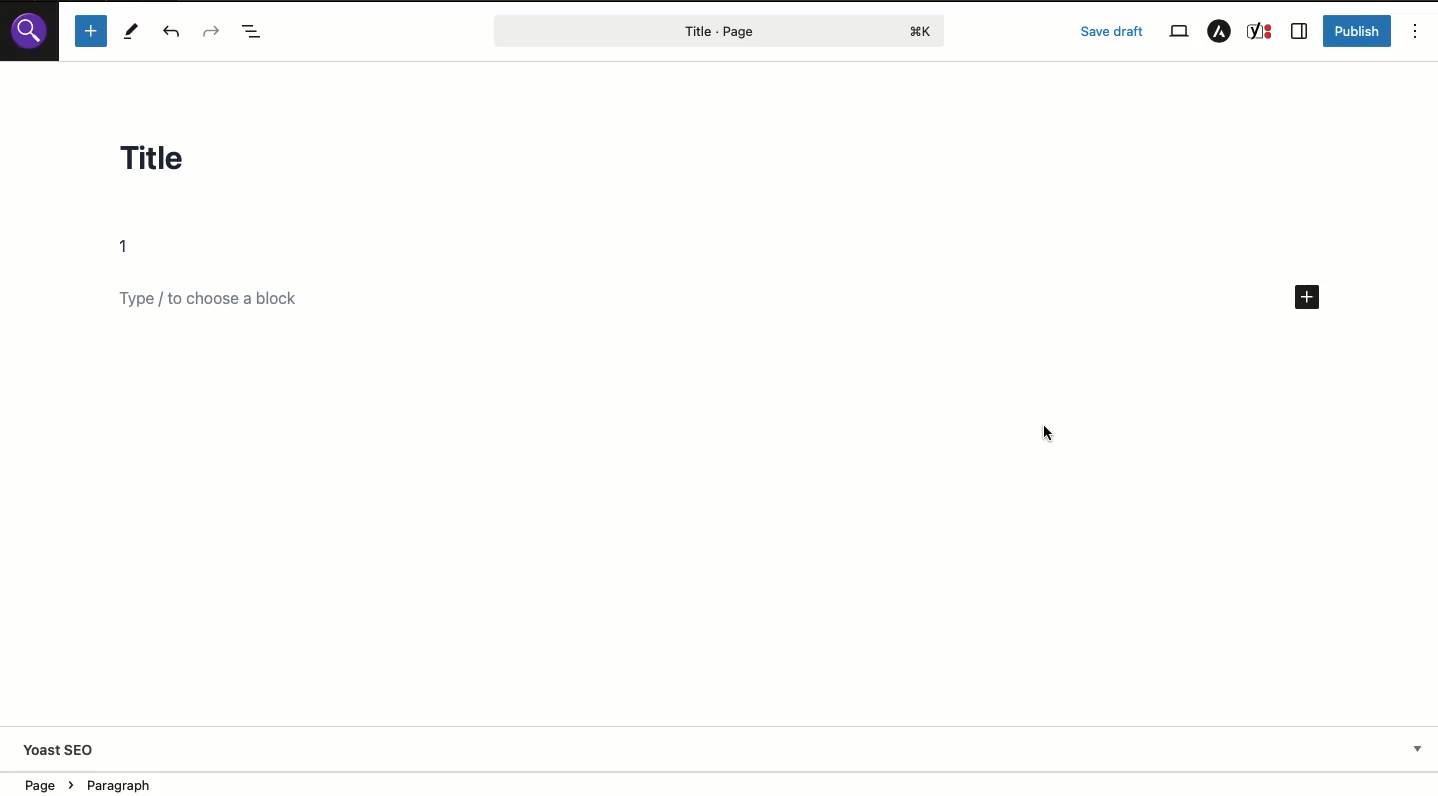 This screenshot has width=1438, height=796. I want to click on Drop-down , so click(1418, 749).